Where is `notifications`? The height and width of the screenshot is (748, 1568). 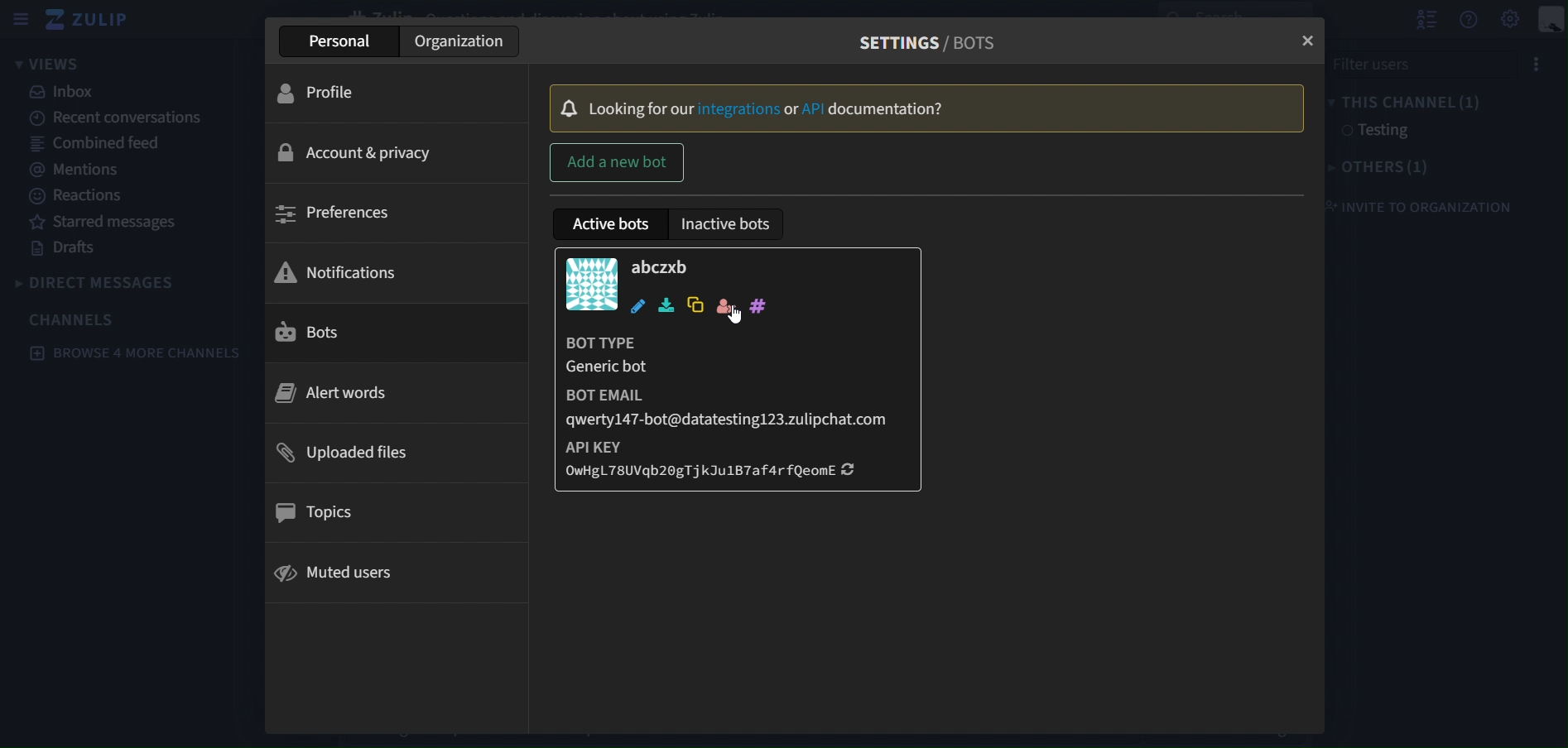 notifications is located at coordinates (357, 270).